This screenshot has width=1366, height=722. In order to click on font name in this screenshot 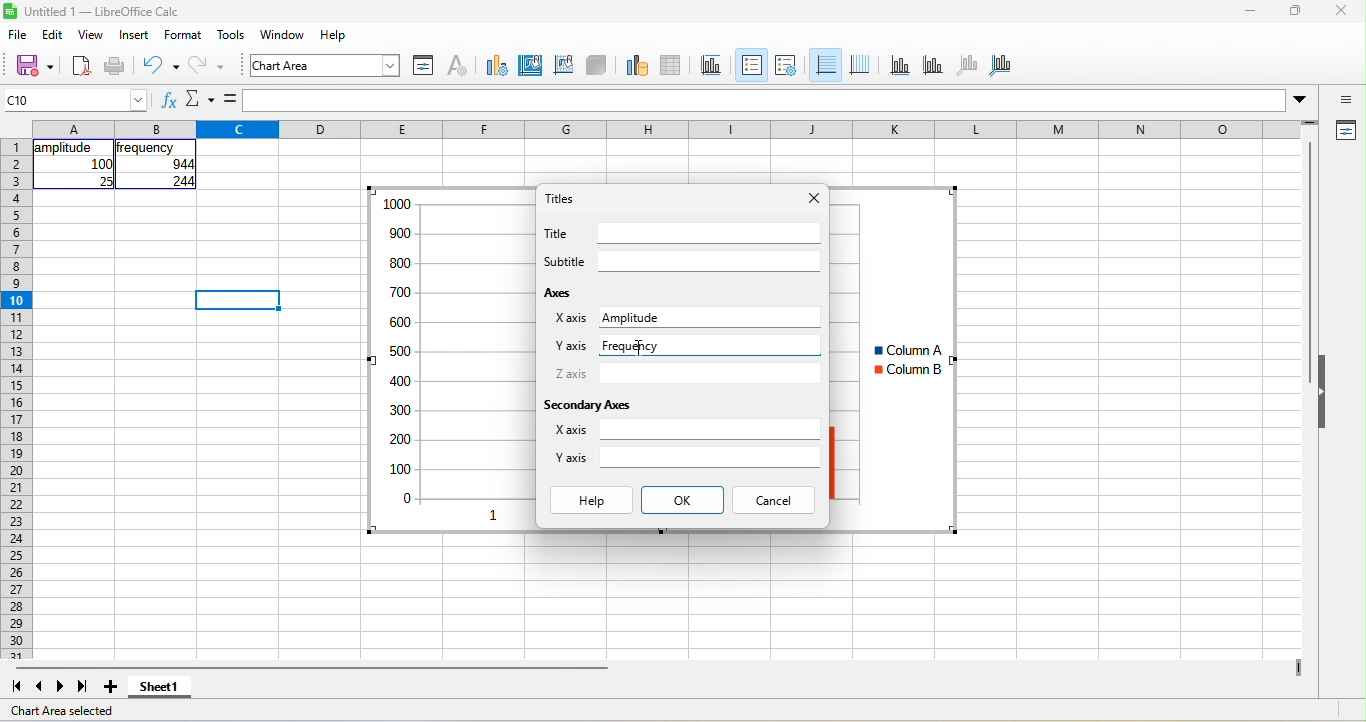, I will do `click(325, 65)`.